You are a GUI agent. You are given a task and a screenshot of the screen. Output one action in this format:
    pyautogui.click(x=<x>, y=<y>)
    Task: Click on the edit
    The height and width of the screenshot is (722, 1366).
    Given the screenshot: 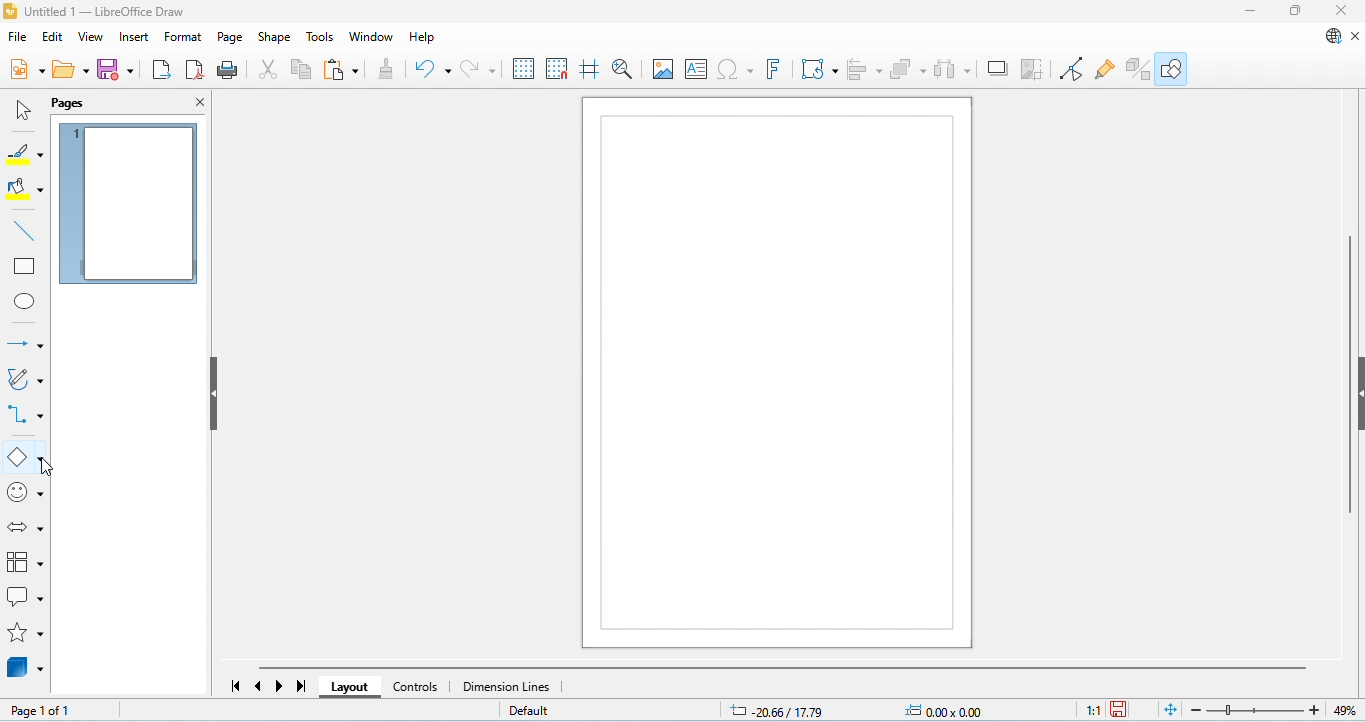 What is the action you would take?
    pyautogui.click(x=52, y=36)
    